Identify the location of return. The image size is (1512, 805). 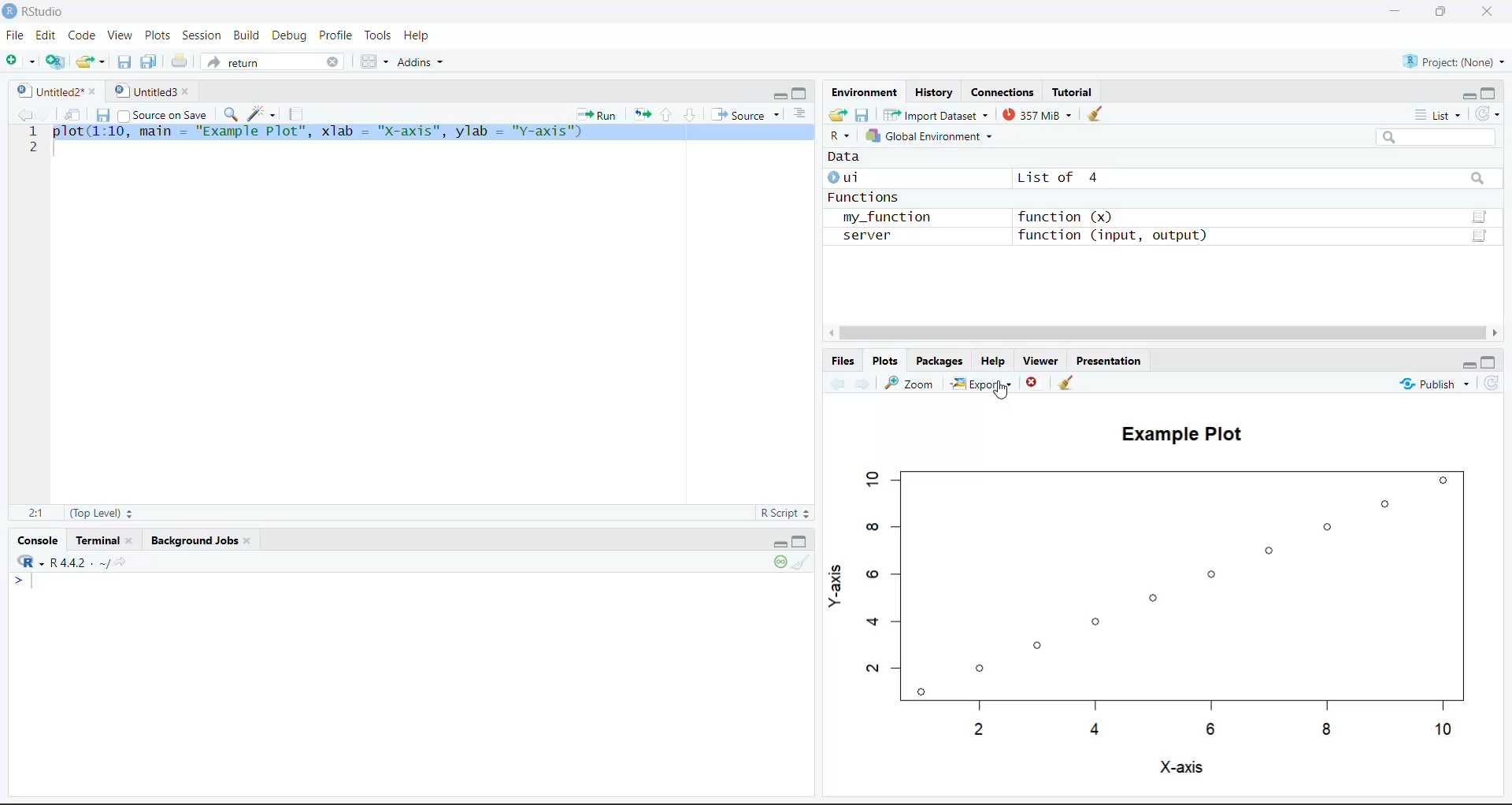
(271, 61).